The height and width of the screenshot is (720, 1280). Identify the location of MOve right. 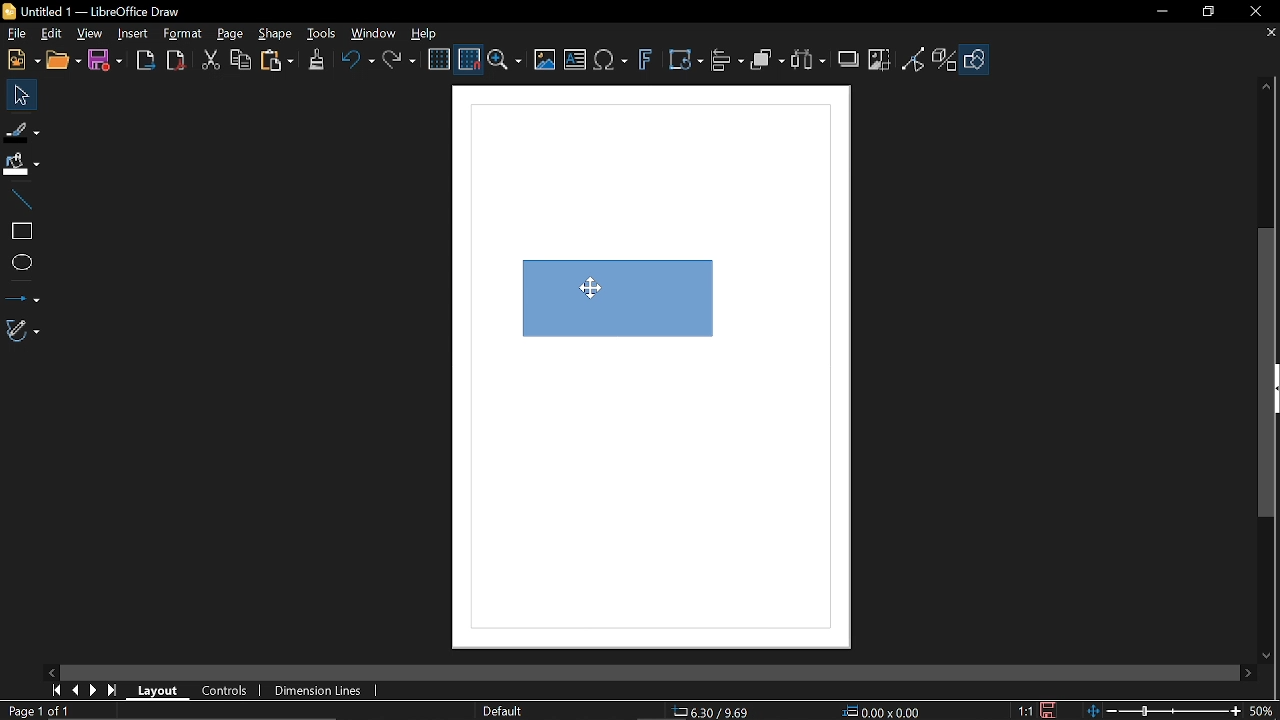
(91, 691).